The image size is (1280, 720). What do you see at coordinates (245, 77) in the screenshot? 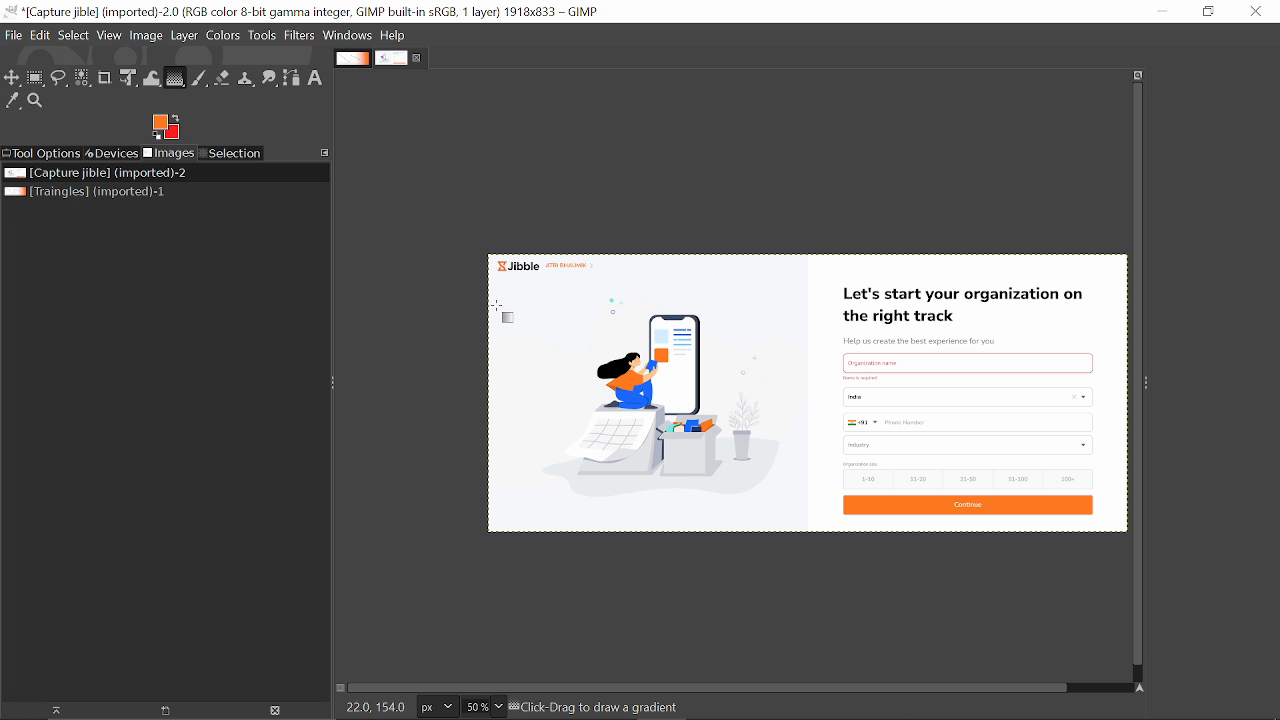
I see `Clone tool` at bounding box center [245, 77].